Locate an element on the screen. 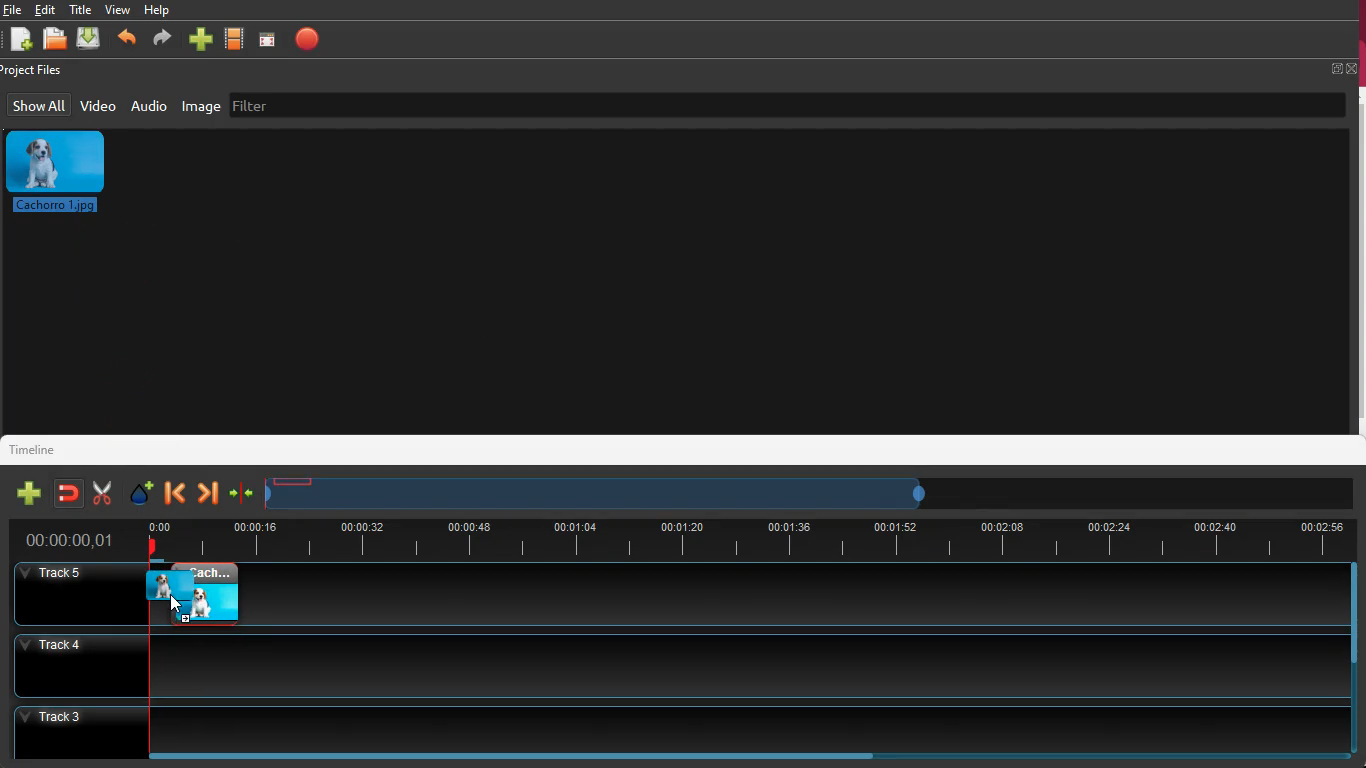  file is located at coordinates (58, 41).